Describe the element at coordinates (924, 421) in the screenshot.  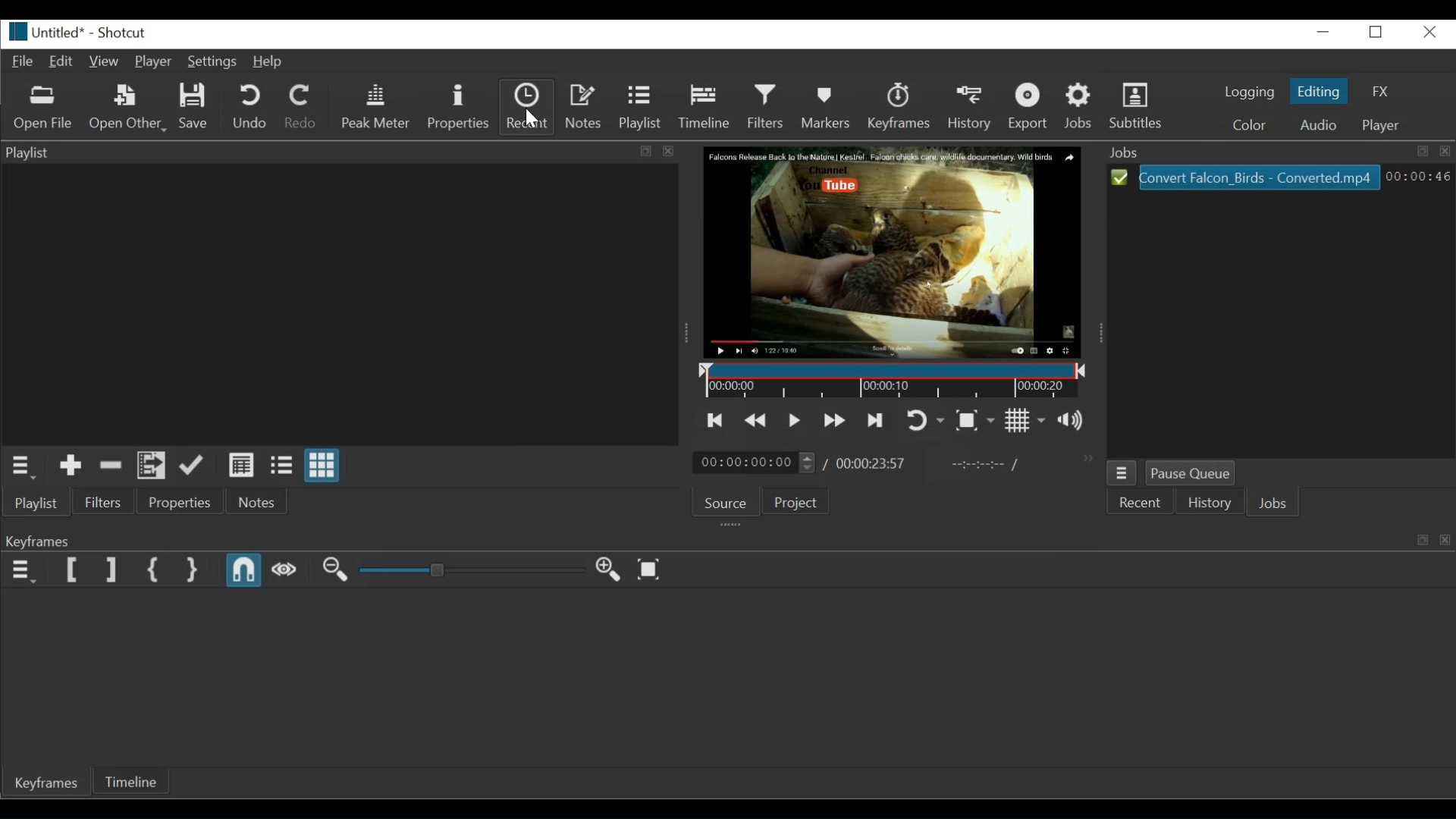
I see `Toggle player looping` at that location.